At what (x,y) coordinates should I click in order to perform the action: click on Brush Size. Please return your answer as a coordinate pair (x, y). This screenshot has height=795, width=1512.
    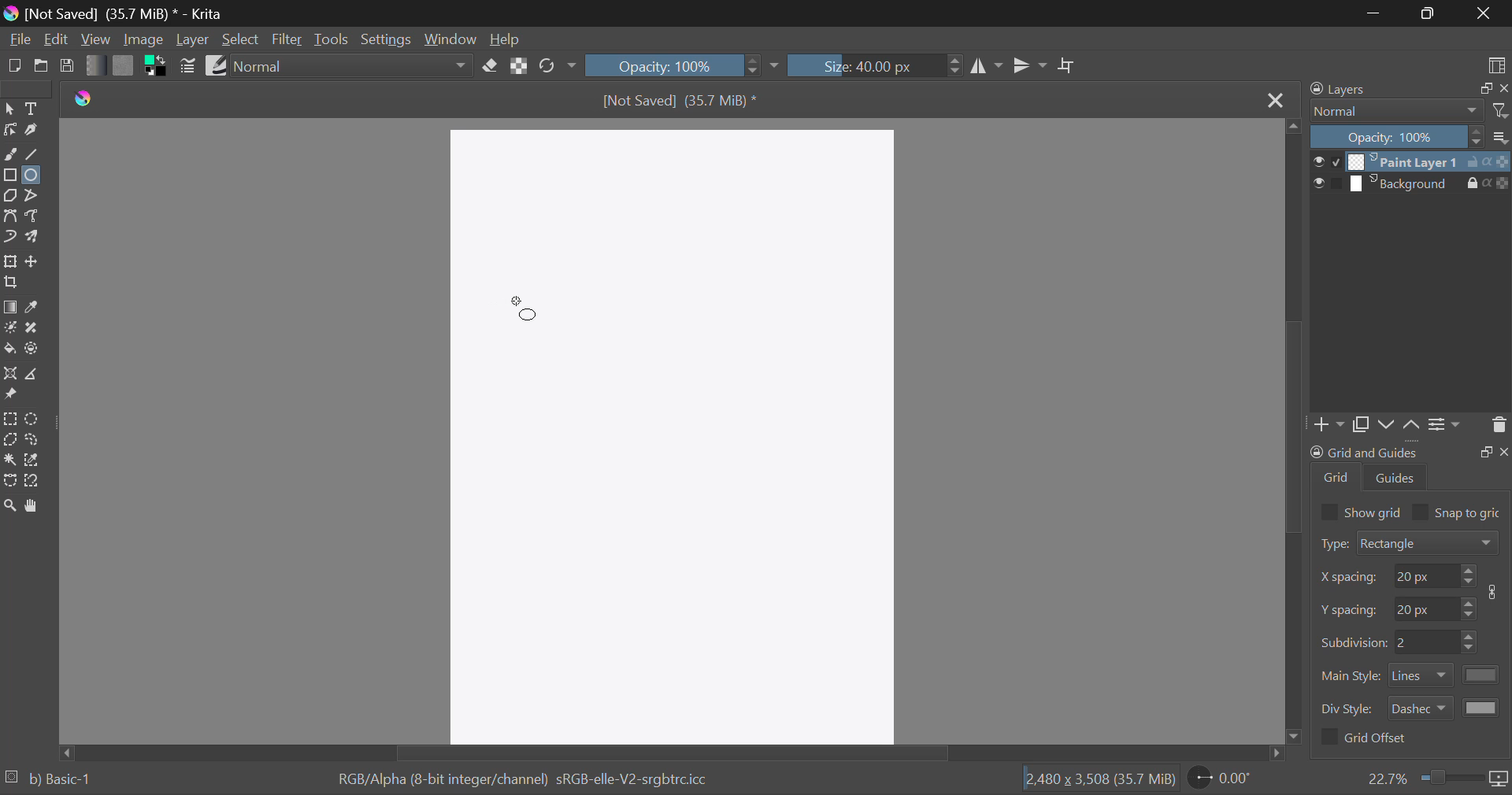
    Looking at the image, I should click on (873, 65).